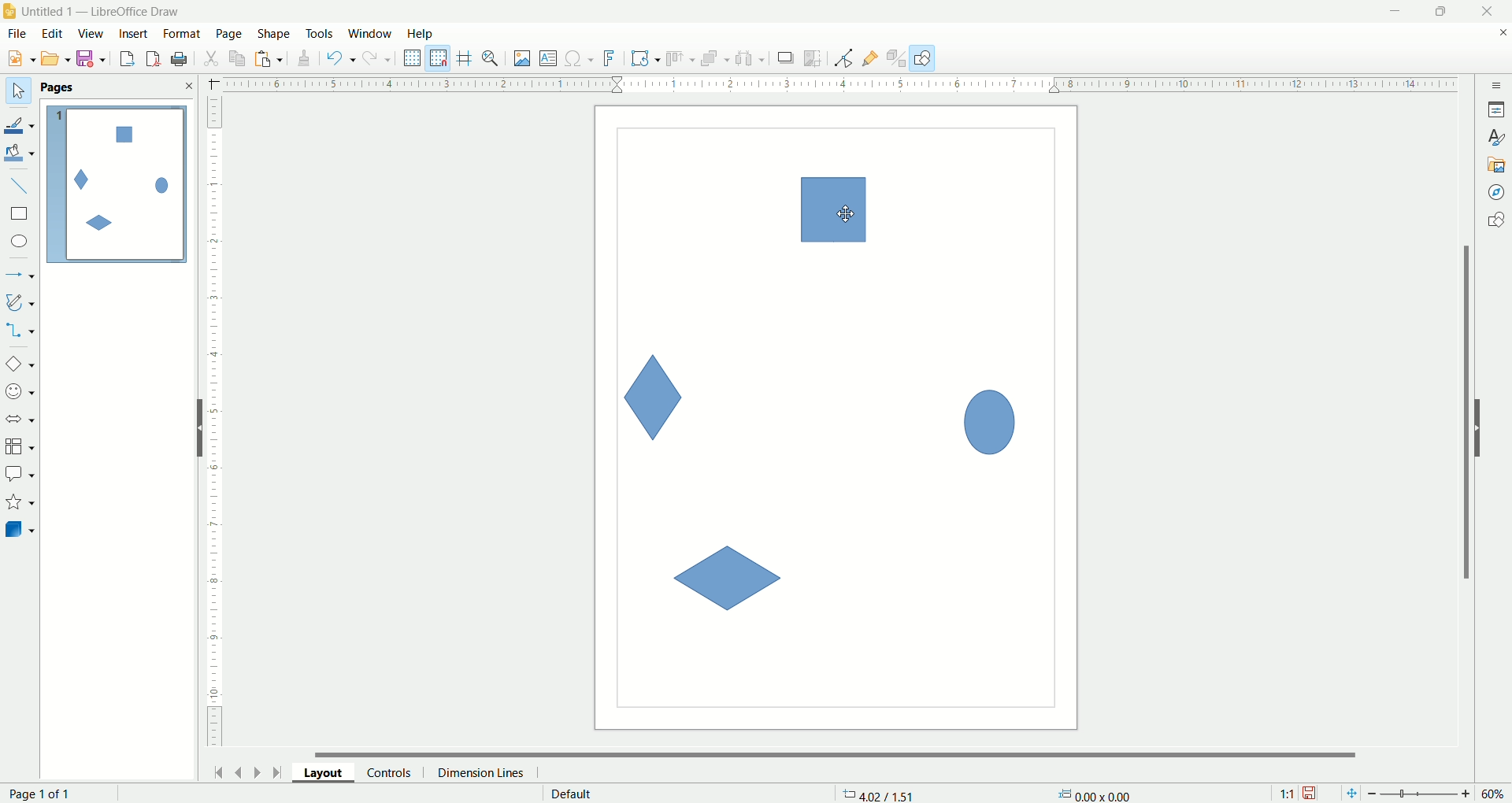  What do you see at coordinates (321, 35) in the screenshot?
I see `tools` at bounding box center [321, 35].